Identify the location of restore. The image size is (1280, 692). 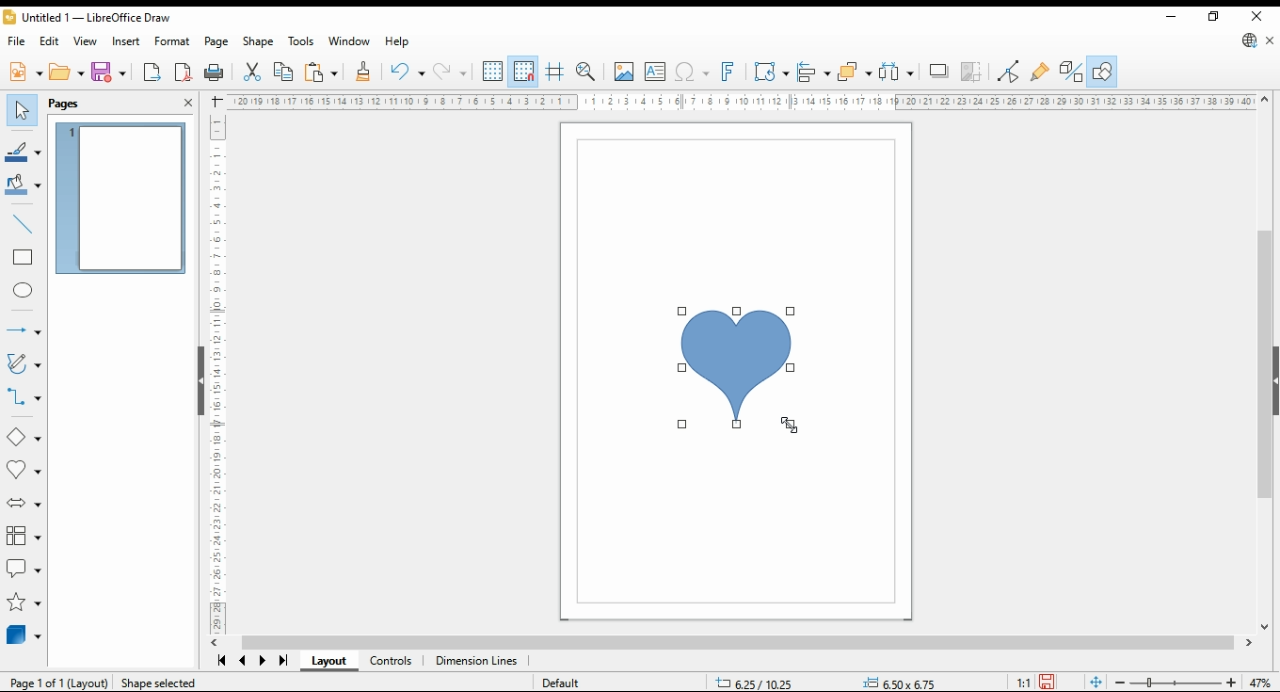
(1213, 17).